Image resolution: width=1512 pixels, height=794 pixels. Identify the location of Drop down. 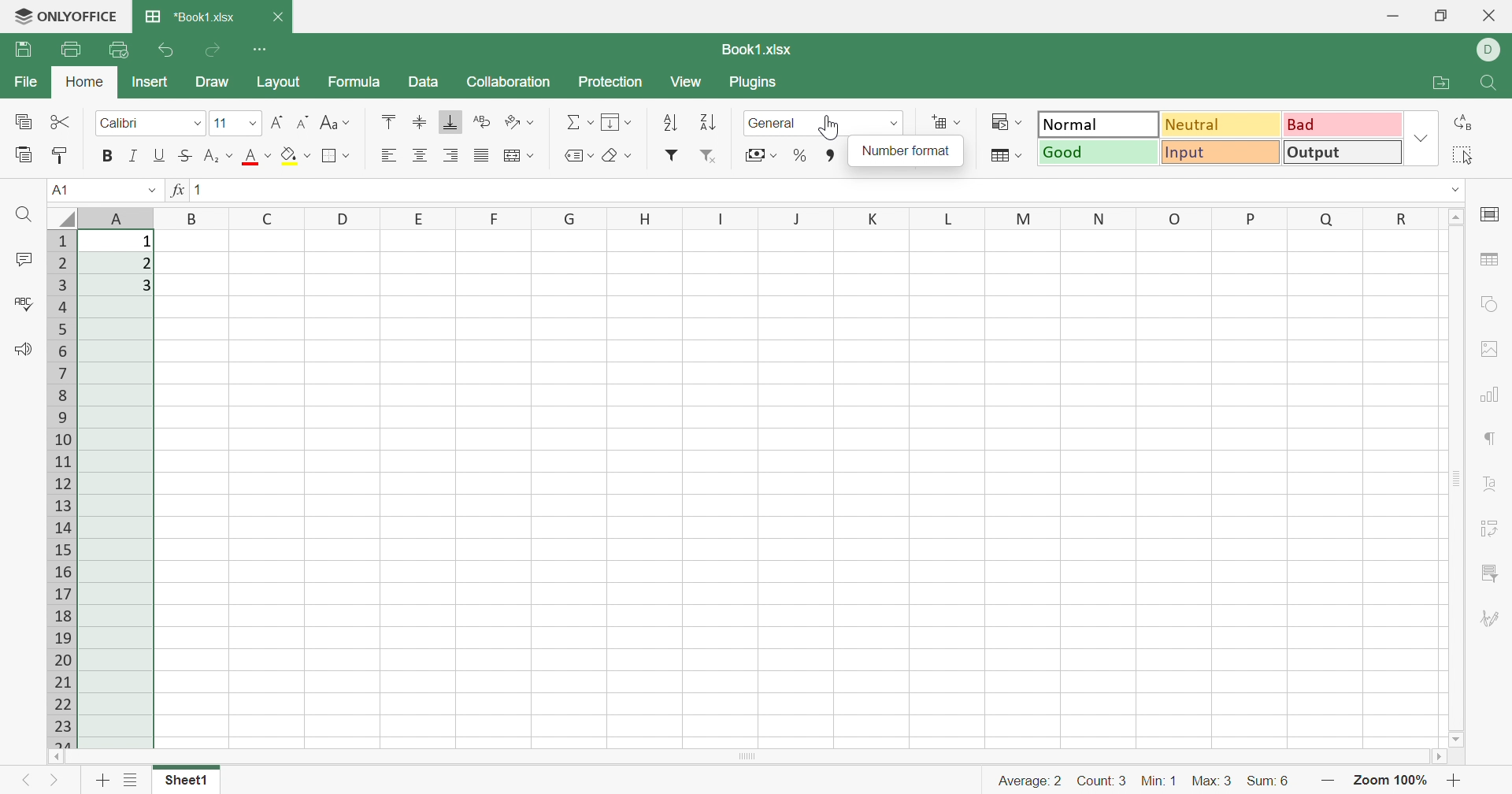
(150, 189).